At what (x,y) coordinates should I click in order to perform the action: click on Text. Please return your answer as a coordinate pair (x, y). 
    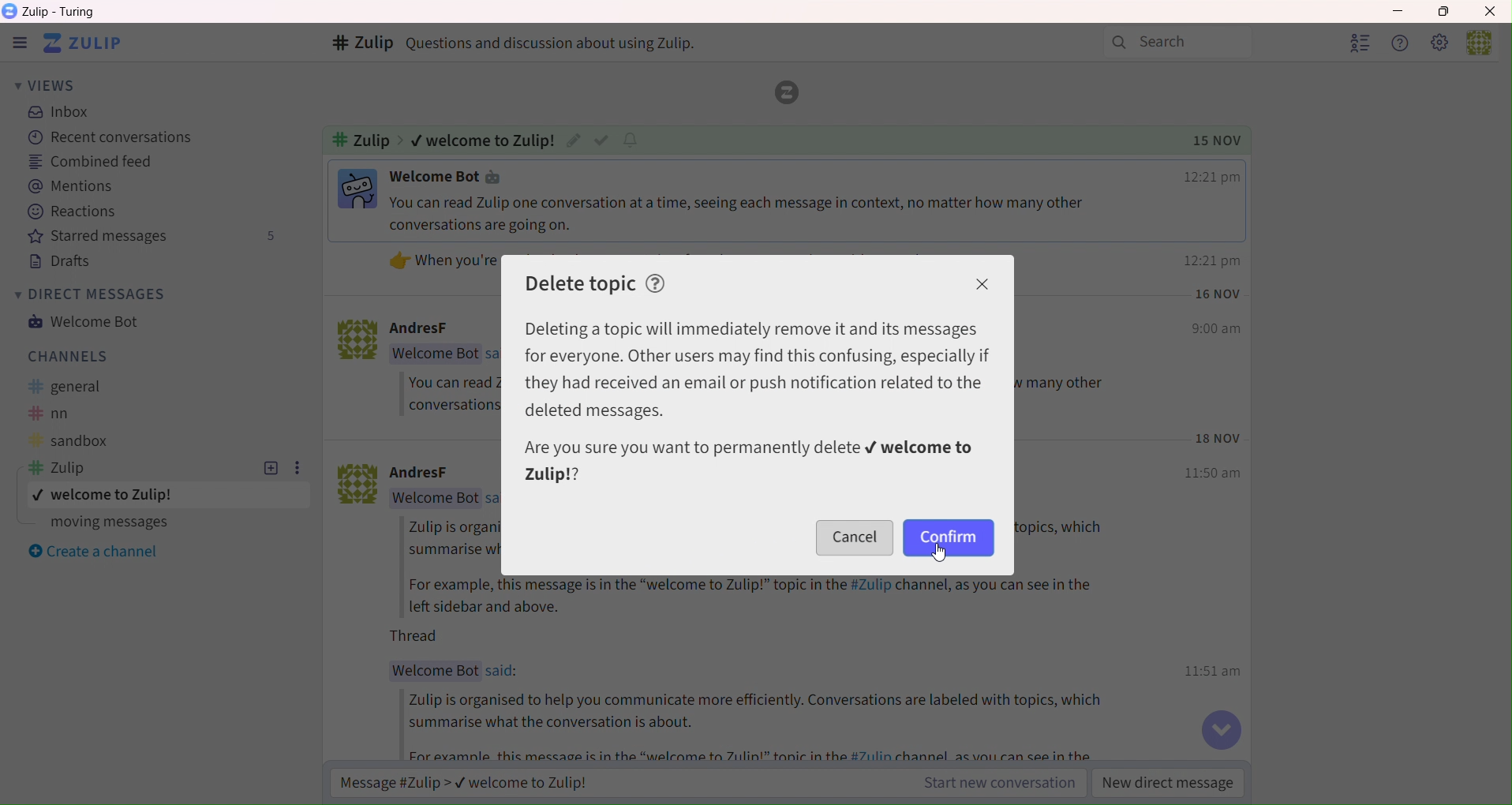
    Looking at the image, I should click on (452, 395).